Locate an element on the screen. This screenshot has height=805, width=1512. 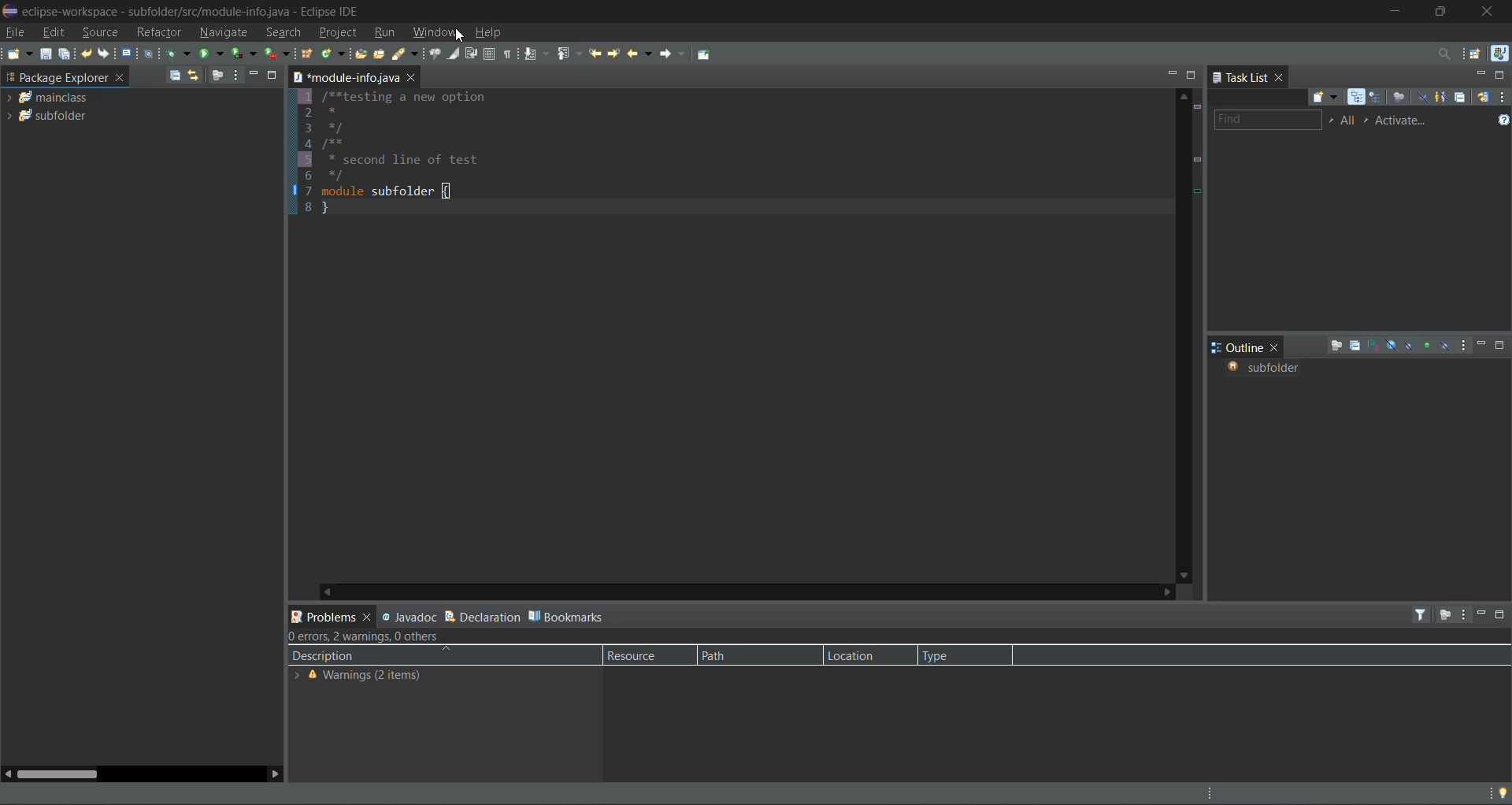
coverage is located at coordinates (244, 54).